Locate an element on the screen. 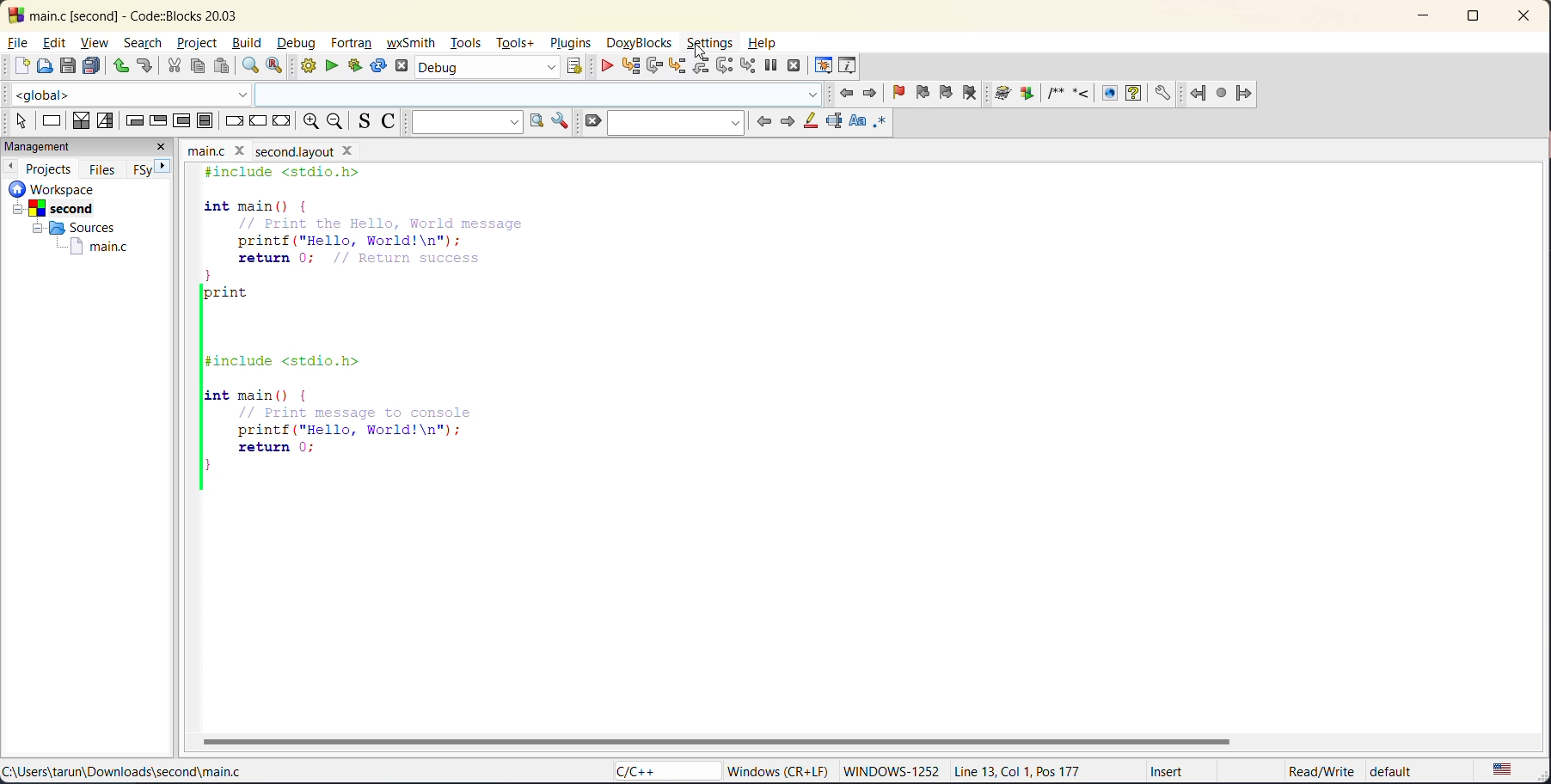  edit is located at coordinates (57, 45).